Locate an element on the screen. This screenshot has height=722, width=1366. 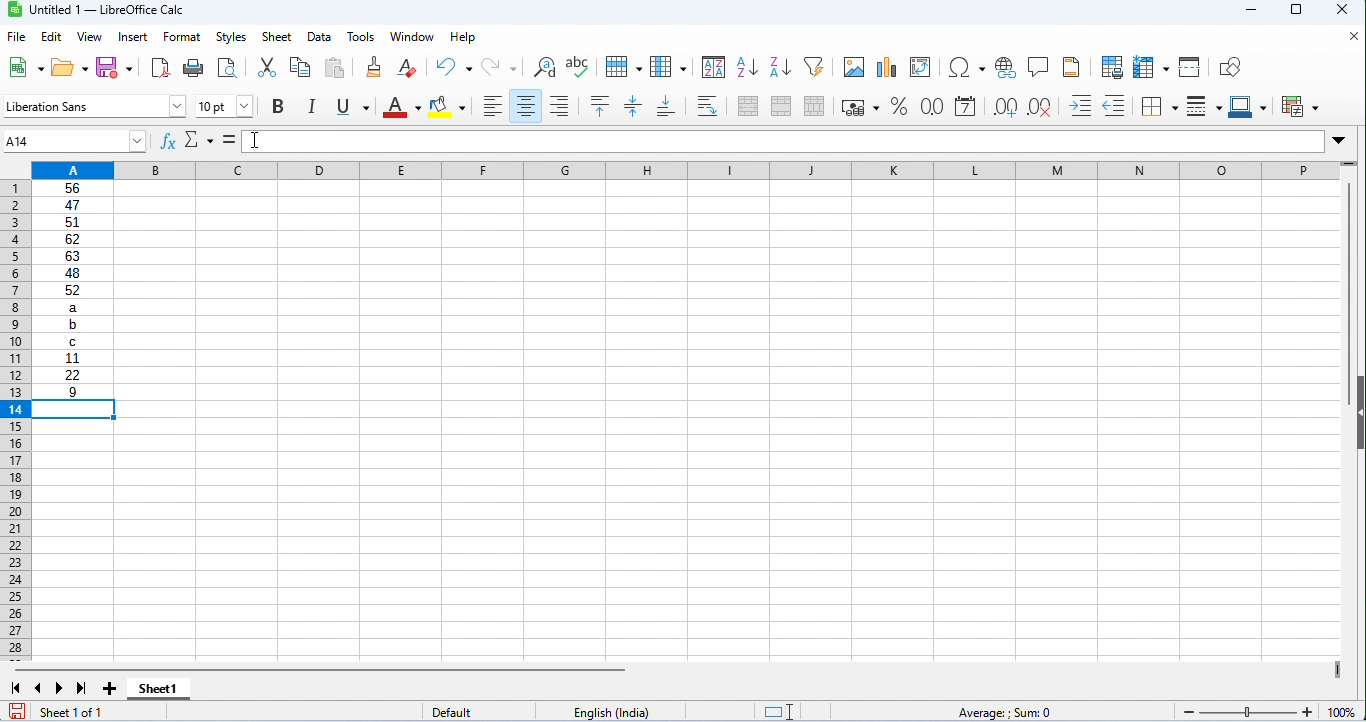
view is located at coordinates (88, 37).